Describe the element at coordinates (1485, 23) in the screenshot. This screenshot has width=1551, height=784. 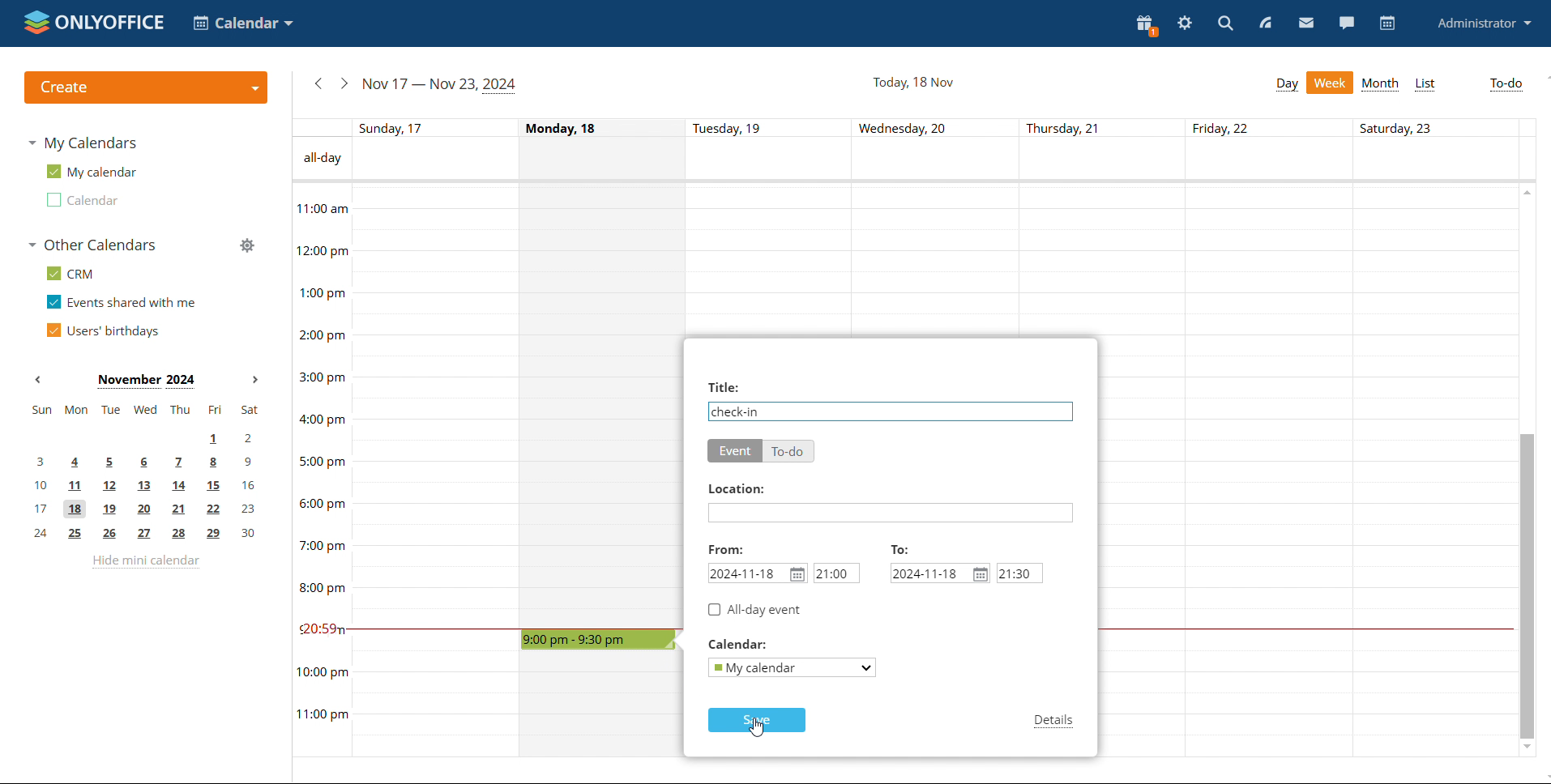
I see `profile` at that location.